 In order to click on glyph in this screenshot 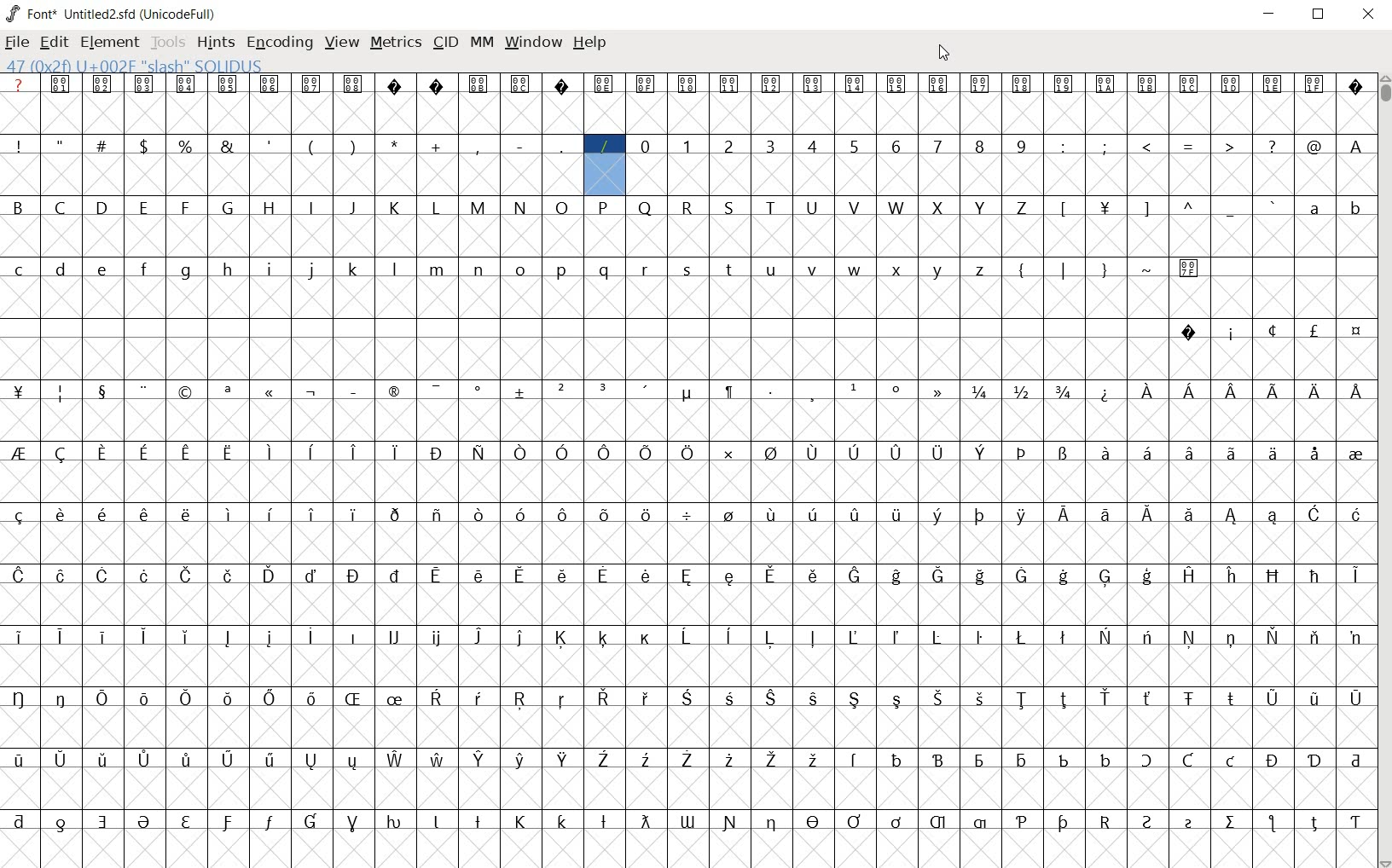, I will do `click(1189, 637)`.